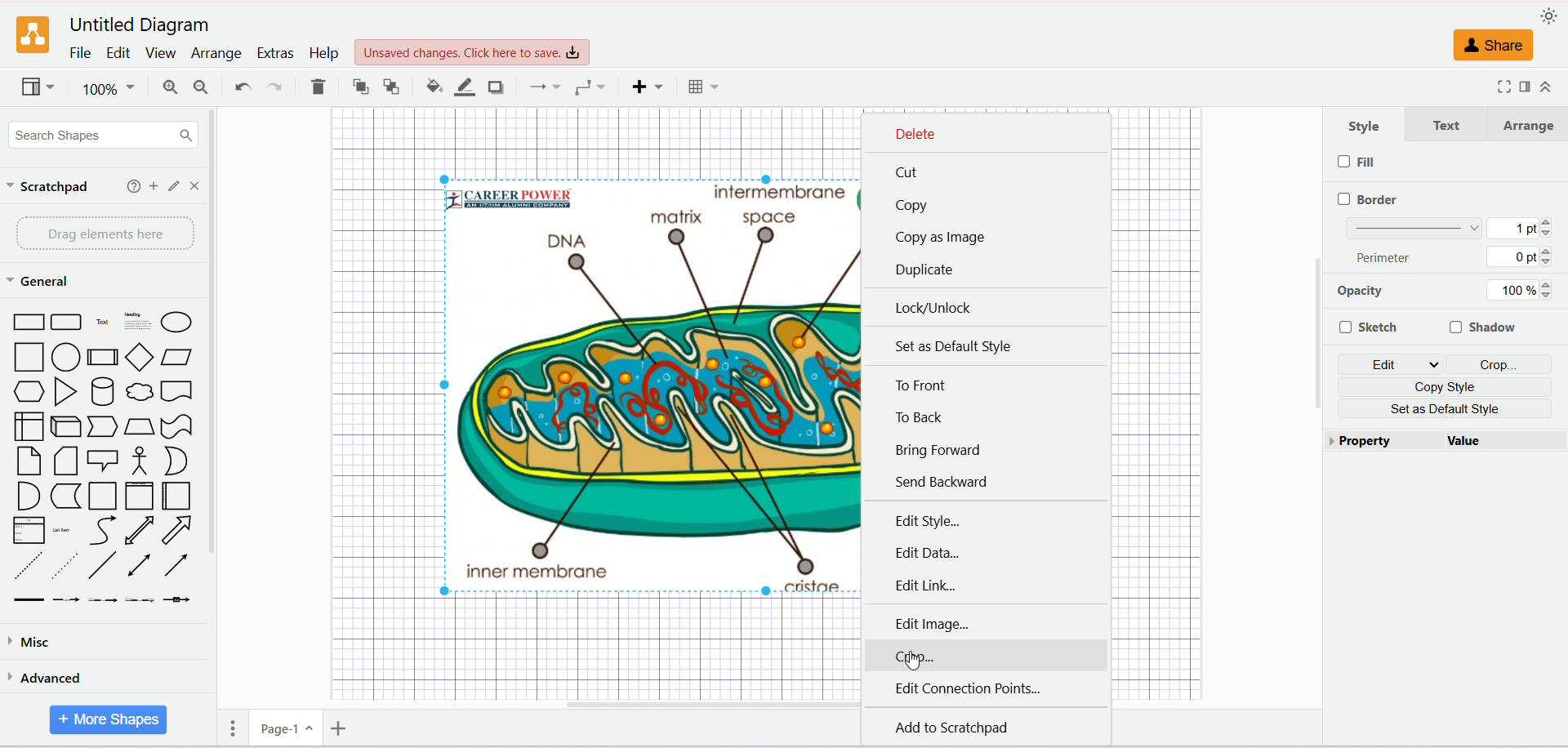 The width and height of the screenshot is (1568, 748). What do you see at coordinates (102, 463) in the screenshot?
I see `Callout` at bounding box center [102, 463].